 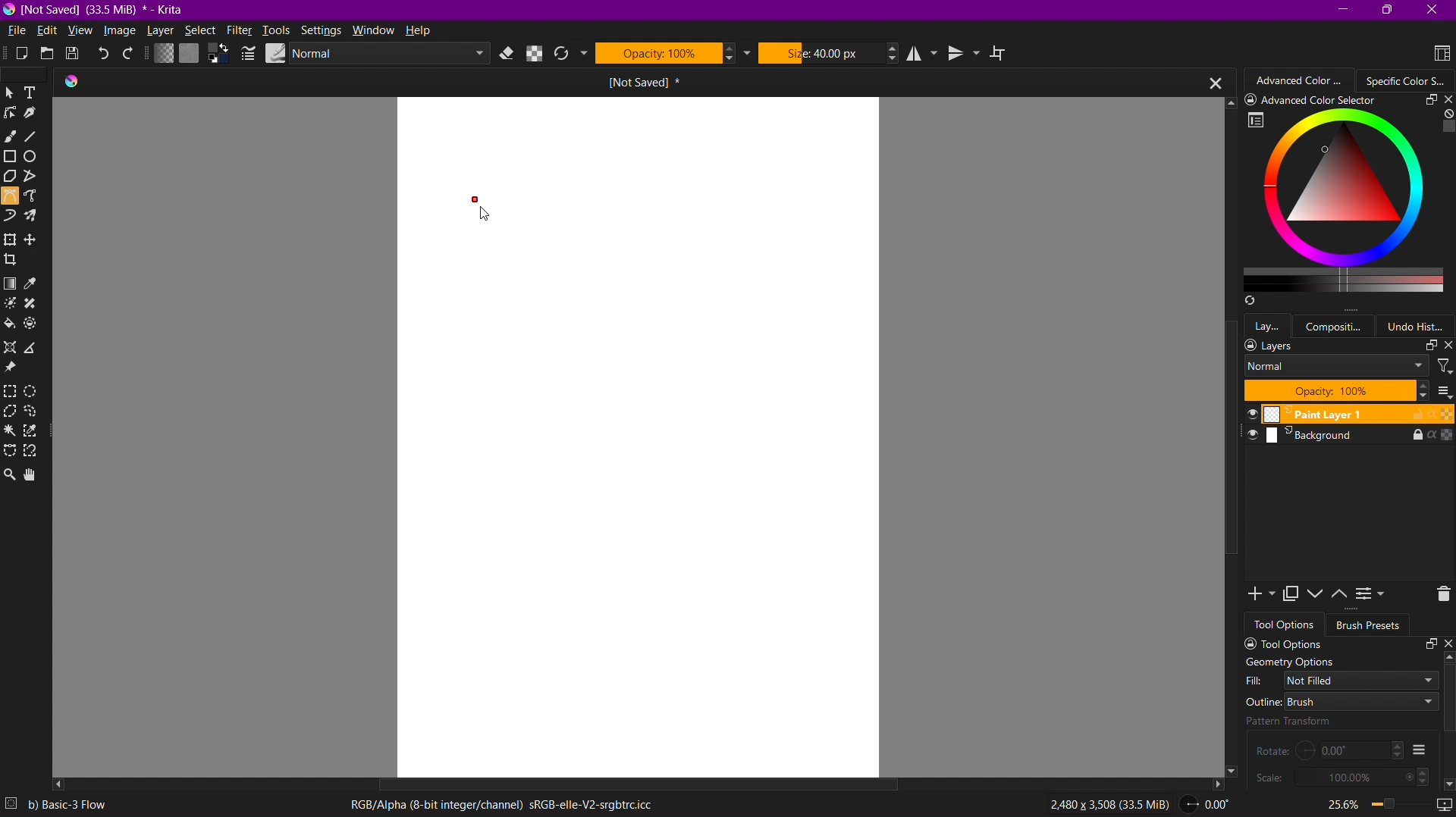 I want to click on Fill area with color, so click(x=11, y=324).